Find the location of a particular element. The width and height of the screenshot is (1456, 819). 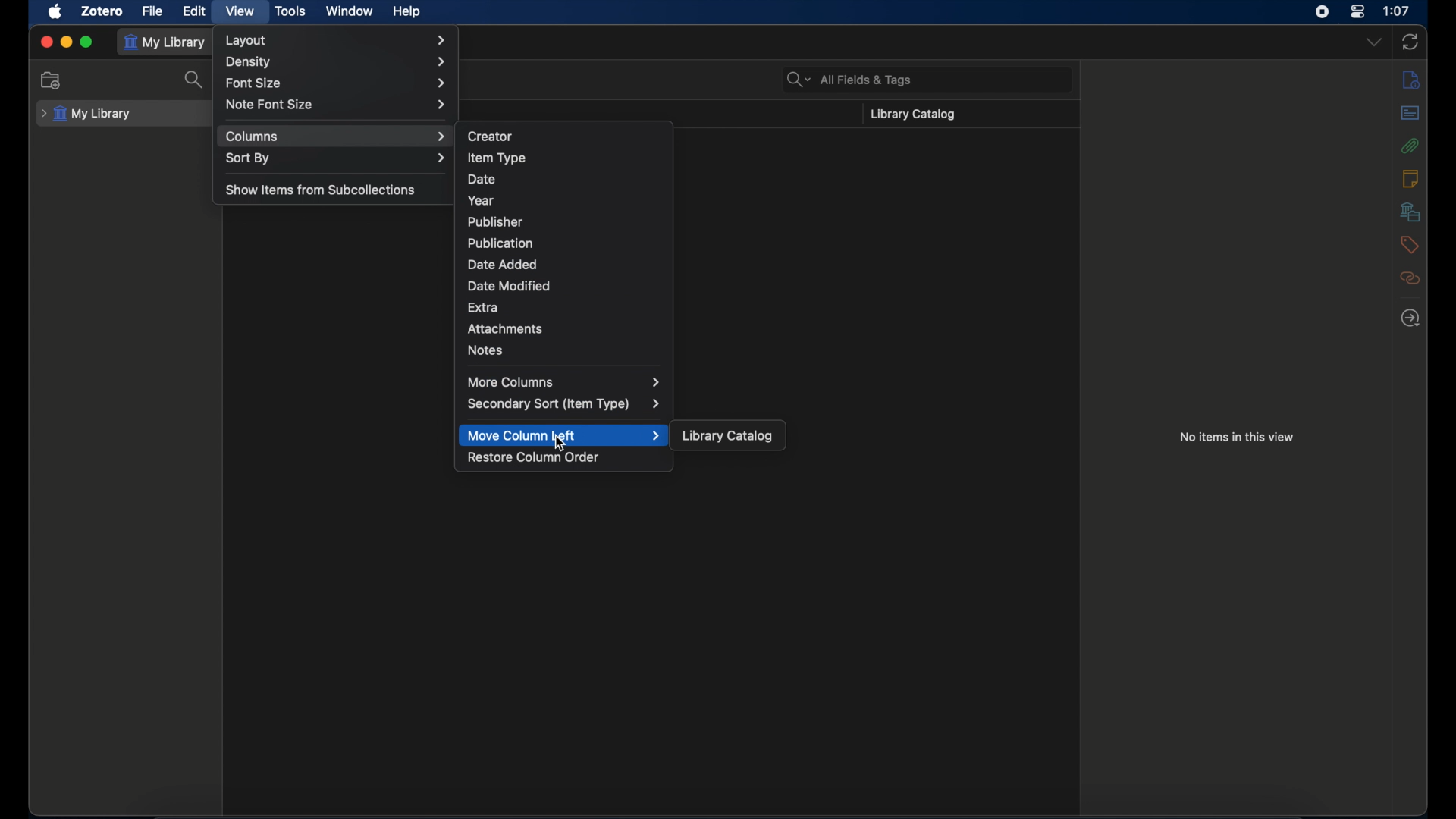

window is located at coordinates (350, 11).